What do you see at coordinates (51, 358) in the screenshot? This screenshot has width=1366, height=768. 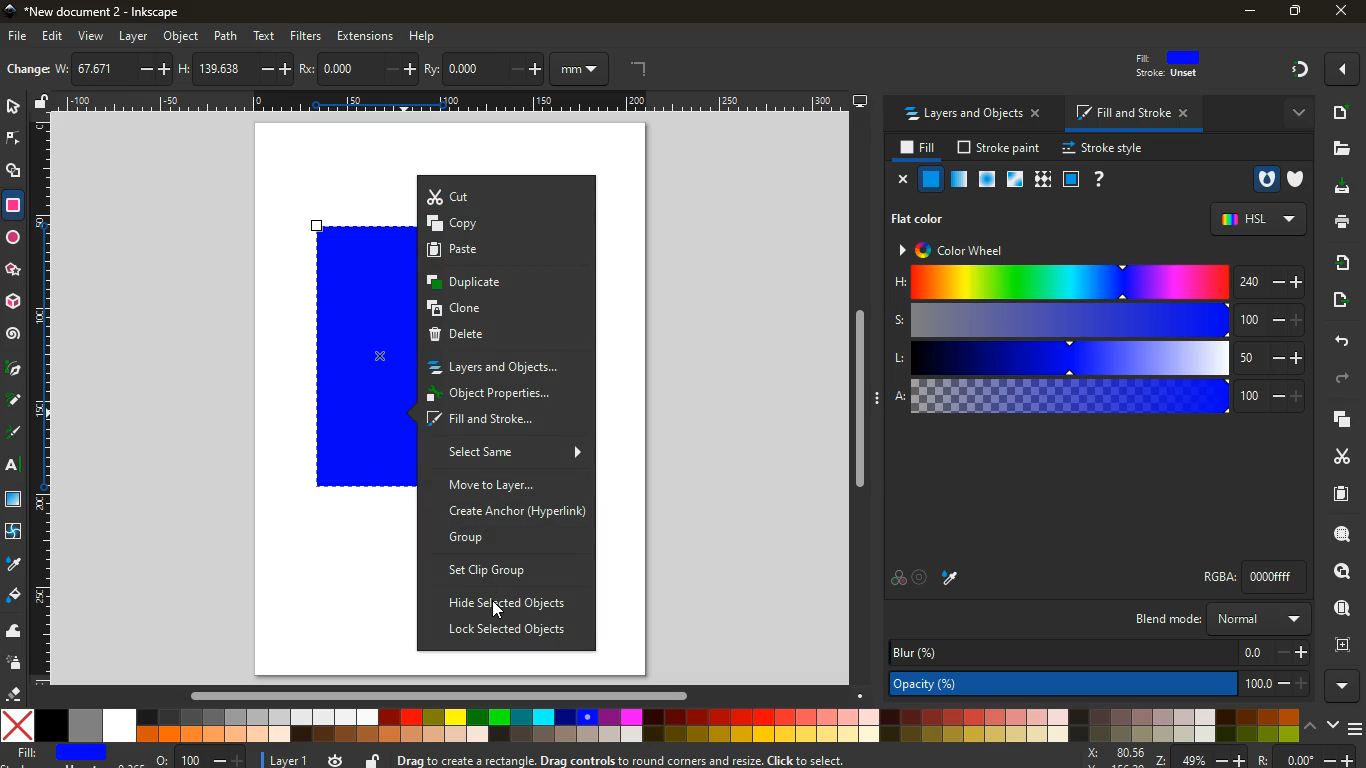 I see `rectangle size` at bounding box center [51, 358].